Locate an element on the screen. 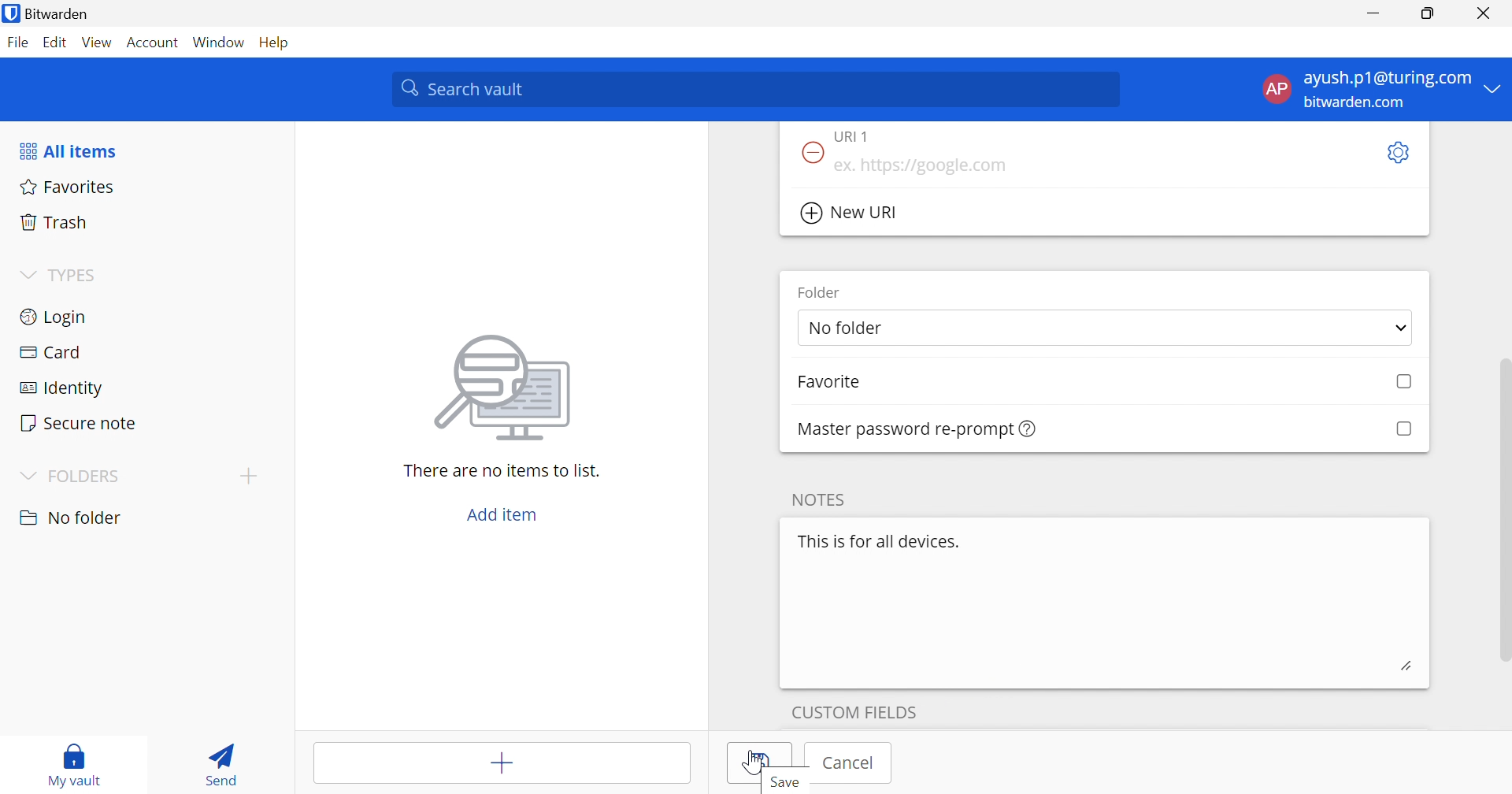 The image size is (1512, 794). ayush.p1@turing.com is located at coordinates (1388, 79).